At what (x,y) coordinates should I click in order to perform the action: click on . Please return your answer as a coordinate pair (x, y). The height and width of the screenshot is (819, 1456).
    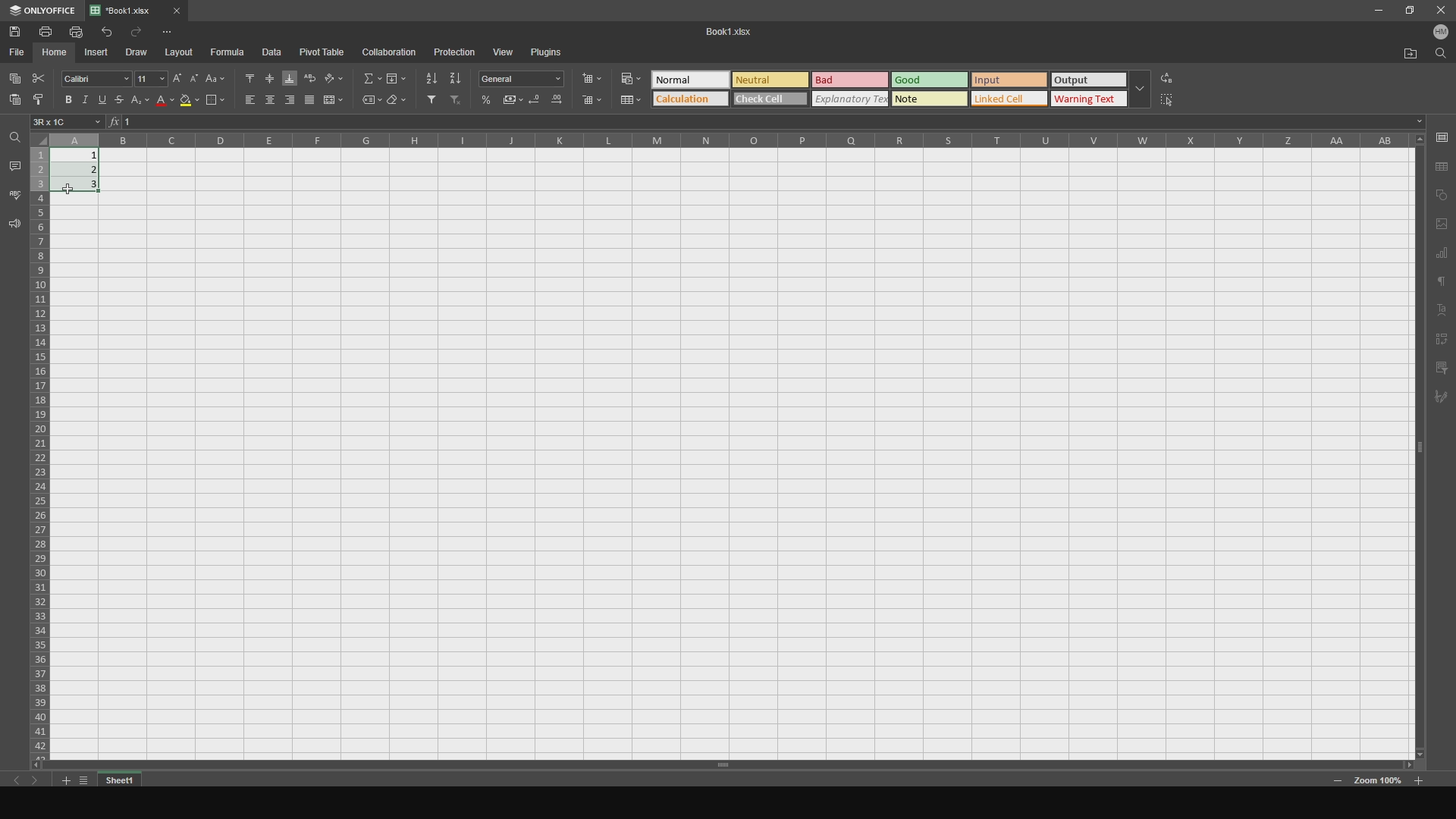
    Looking at the image, I should click on (143, 103).